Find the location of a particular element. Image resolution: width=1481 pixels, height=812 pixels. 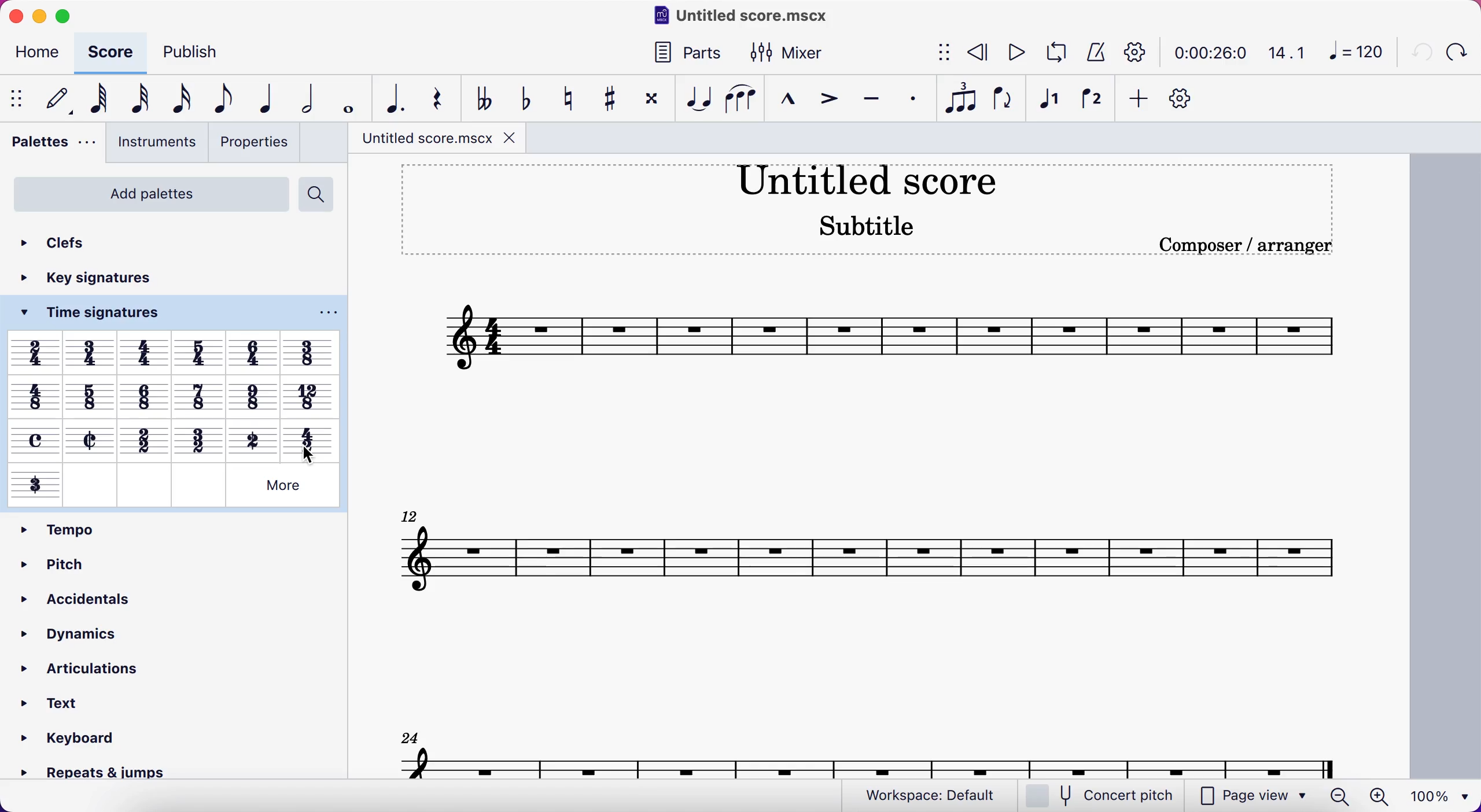

publish is located at coordinates (196, 54).